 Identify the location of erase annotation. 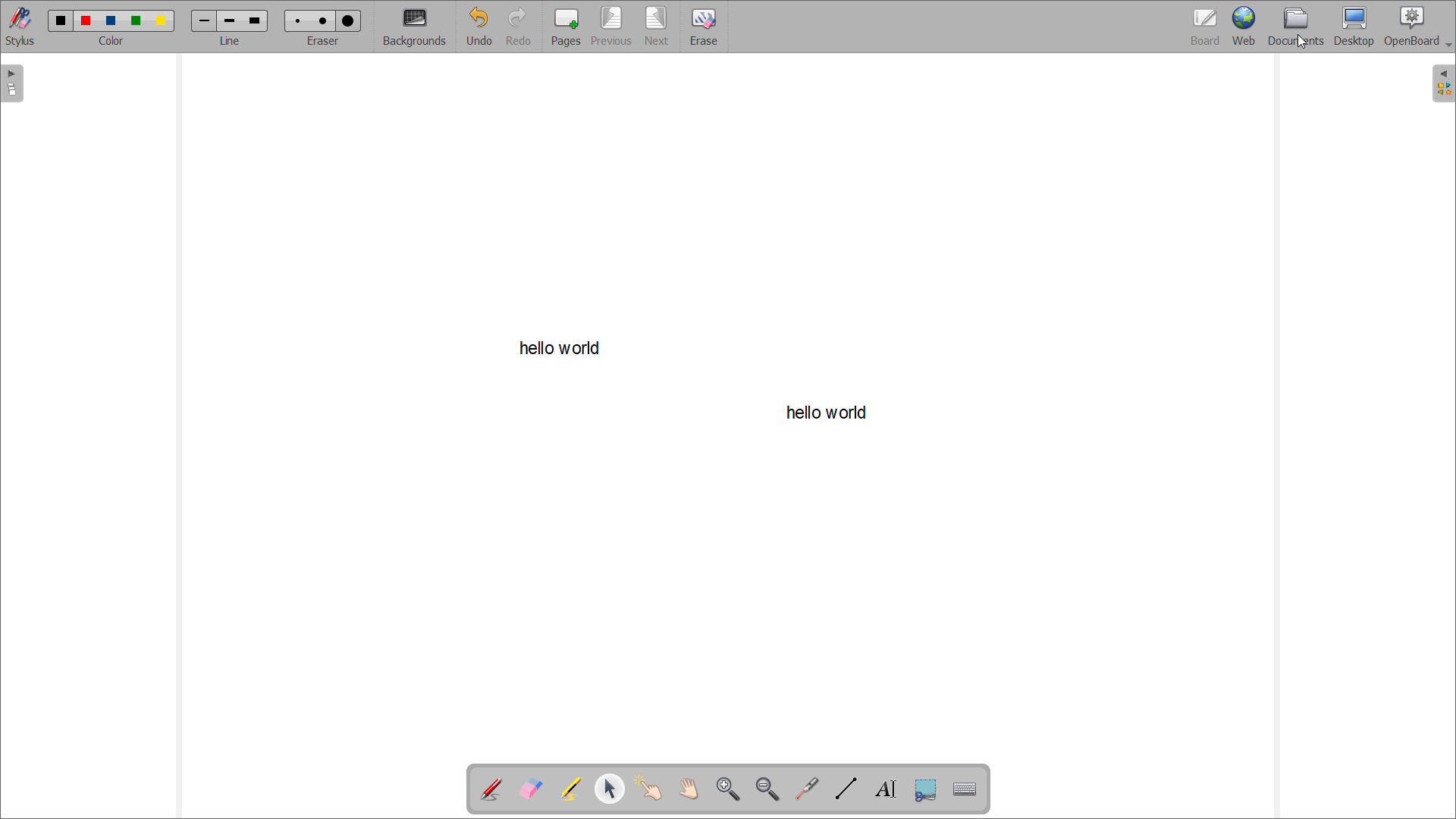
(531, 789).